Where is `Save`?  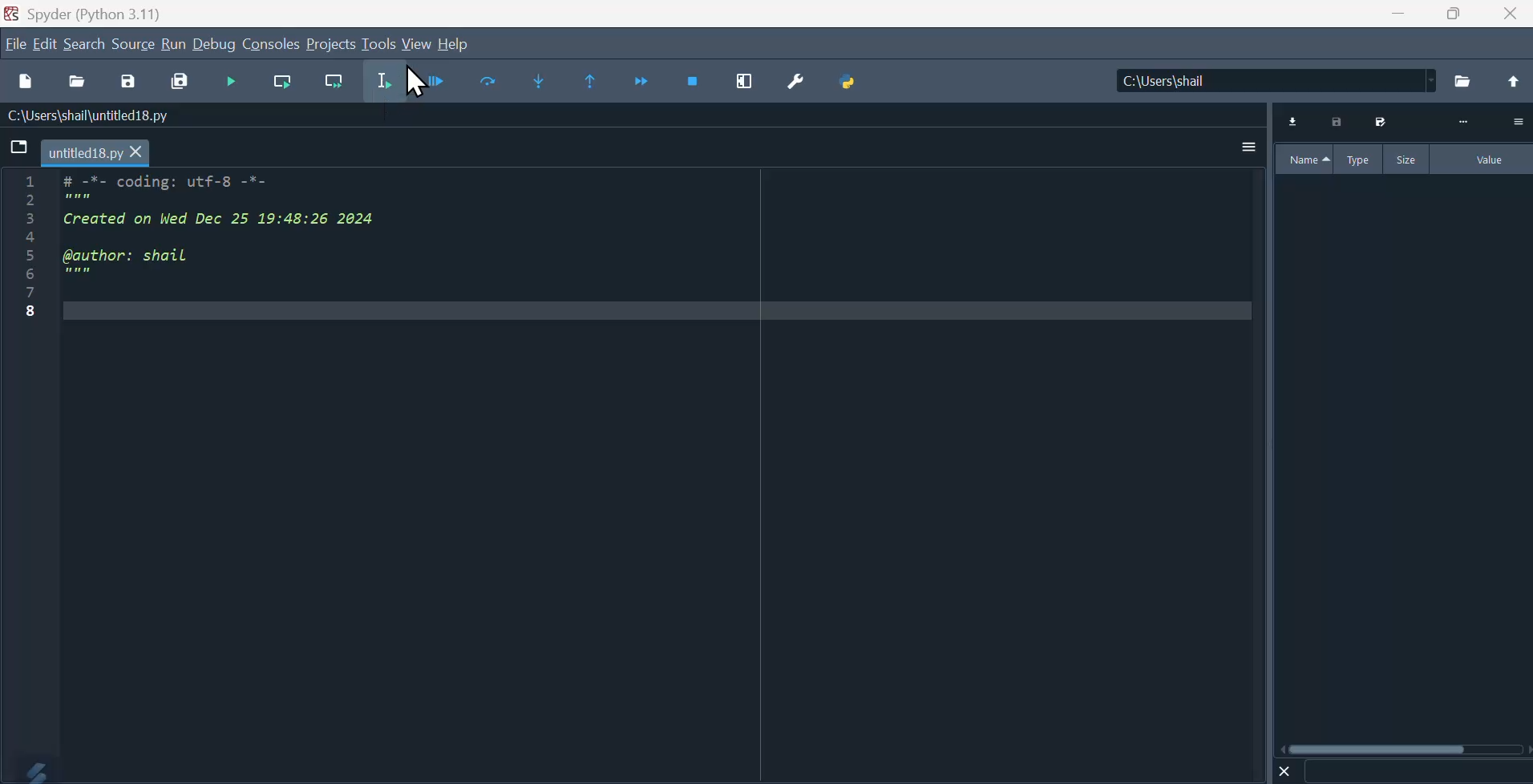
Save is located at coordinates (1378, 122).